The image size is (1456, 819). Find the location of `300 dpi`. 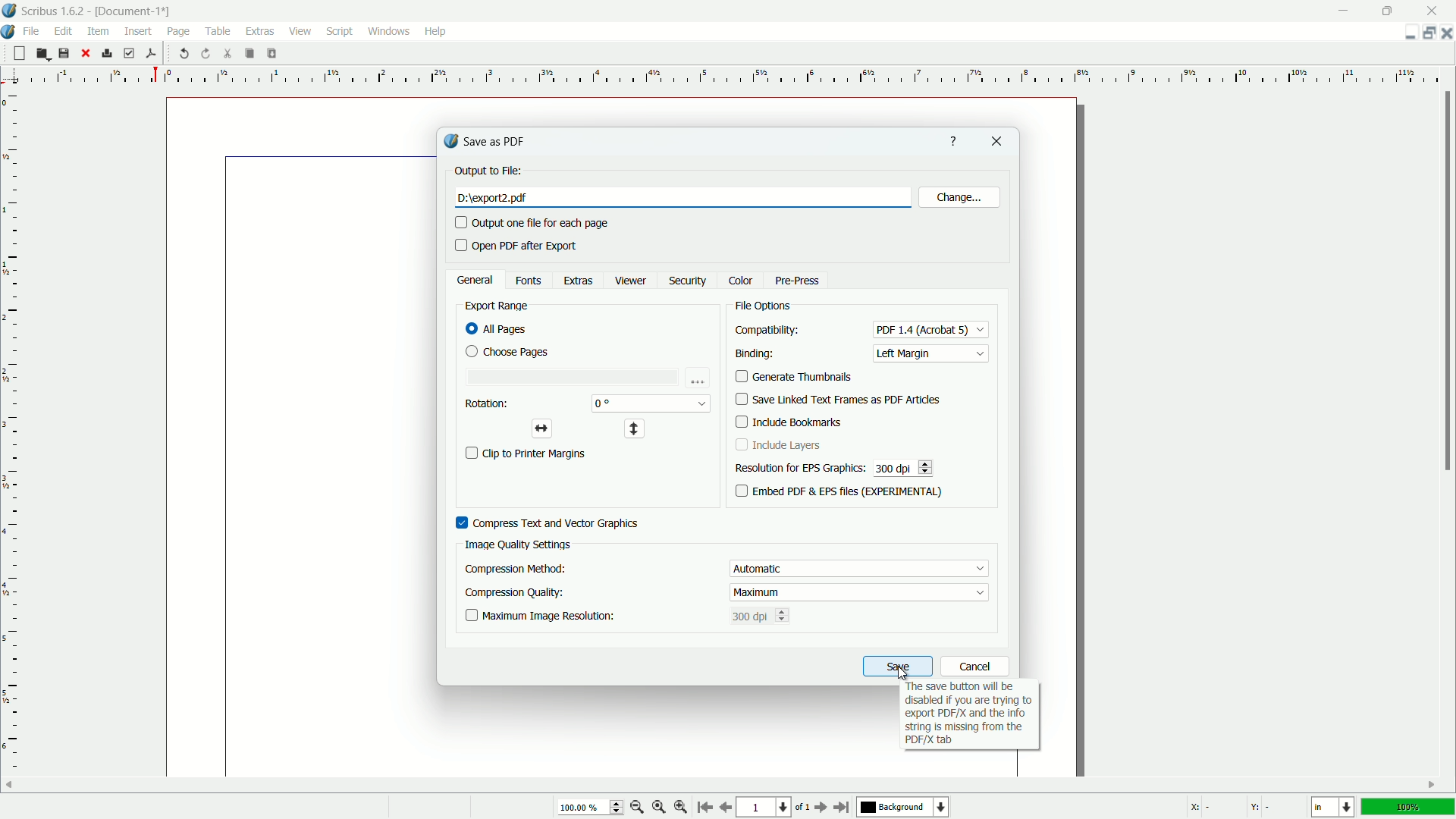

300 dpi is located at coordinates (752, 617).